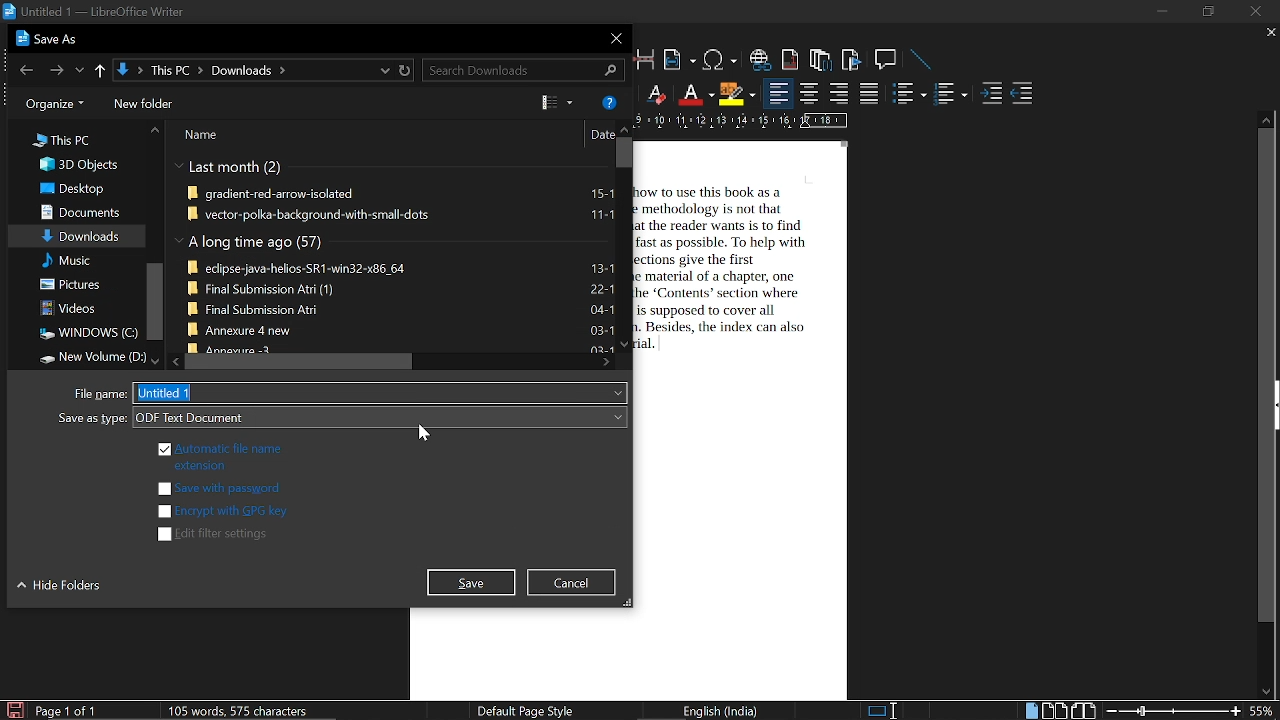 The width and height of the screenshot is (1280, 720). I want to click on move up, so click(155, 131).